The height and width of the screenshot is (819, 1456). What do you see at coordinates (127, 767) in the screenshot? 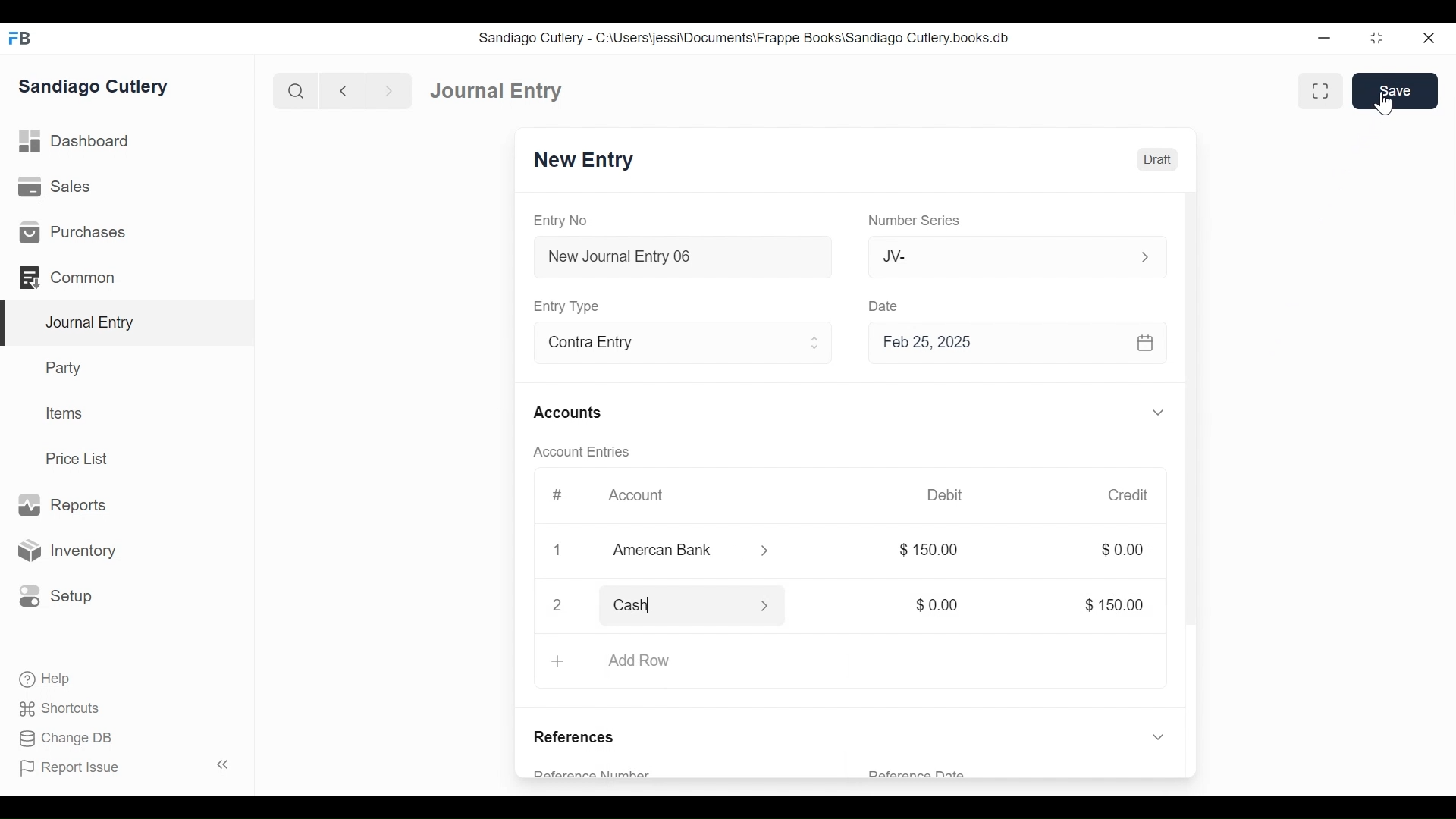
I see `Report Issue` at bounding box center [127, 767].